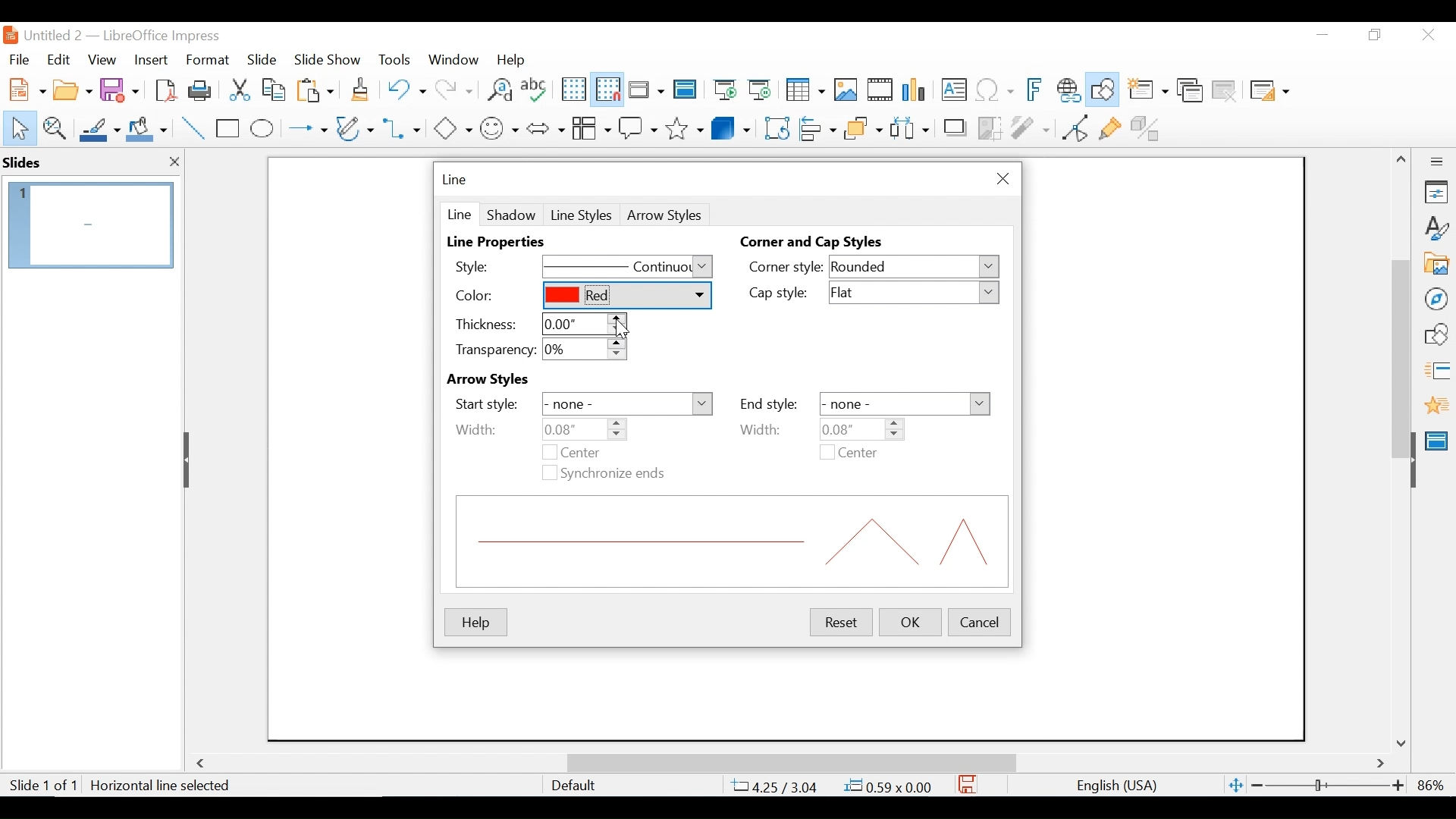 The width and height of the screenshot is (1456, 819). I want to click on Stars and Banners, so click(686, 126).